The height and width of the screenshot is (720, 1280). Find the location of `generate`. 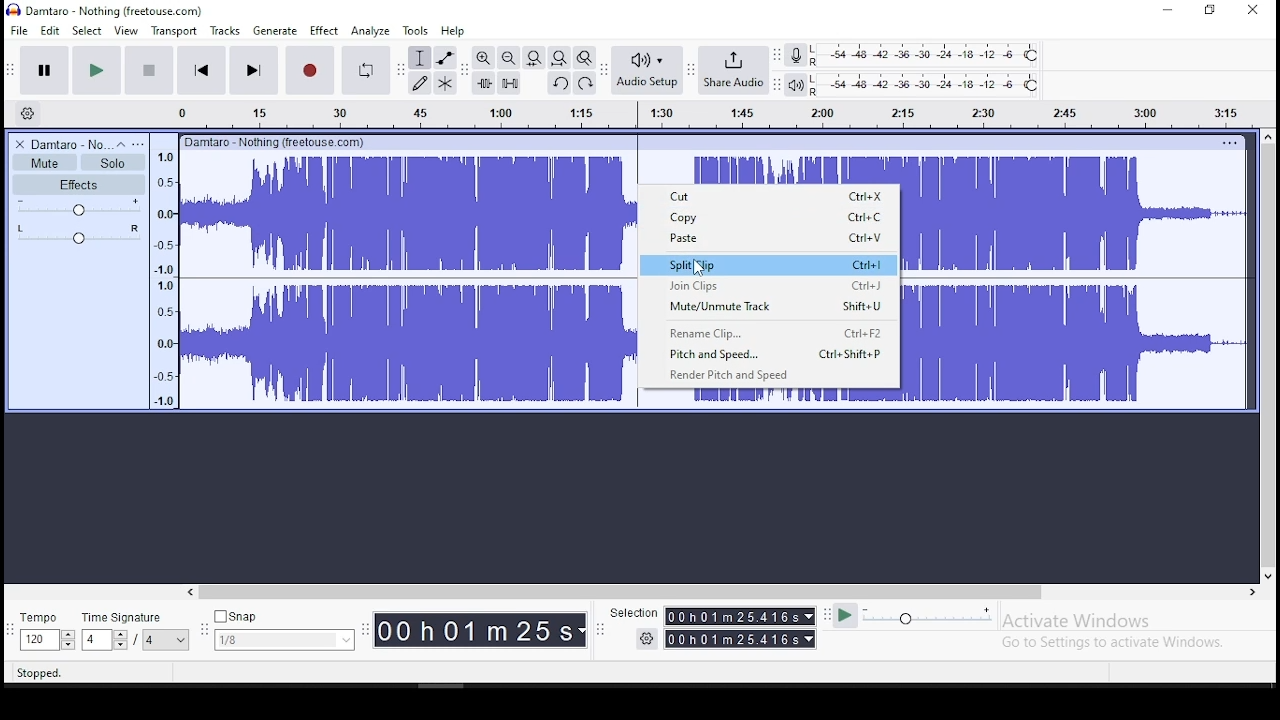

generate is located at coordinates (277, 31).